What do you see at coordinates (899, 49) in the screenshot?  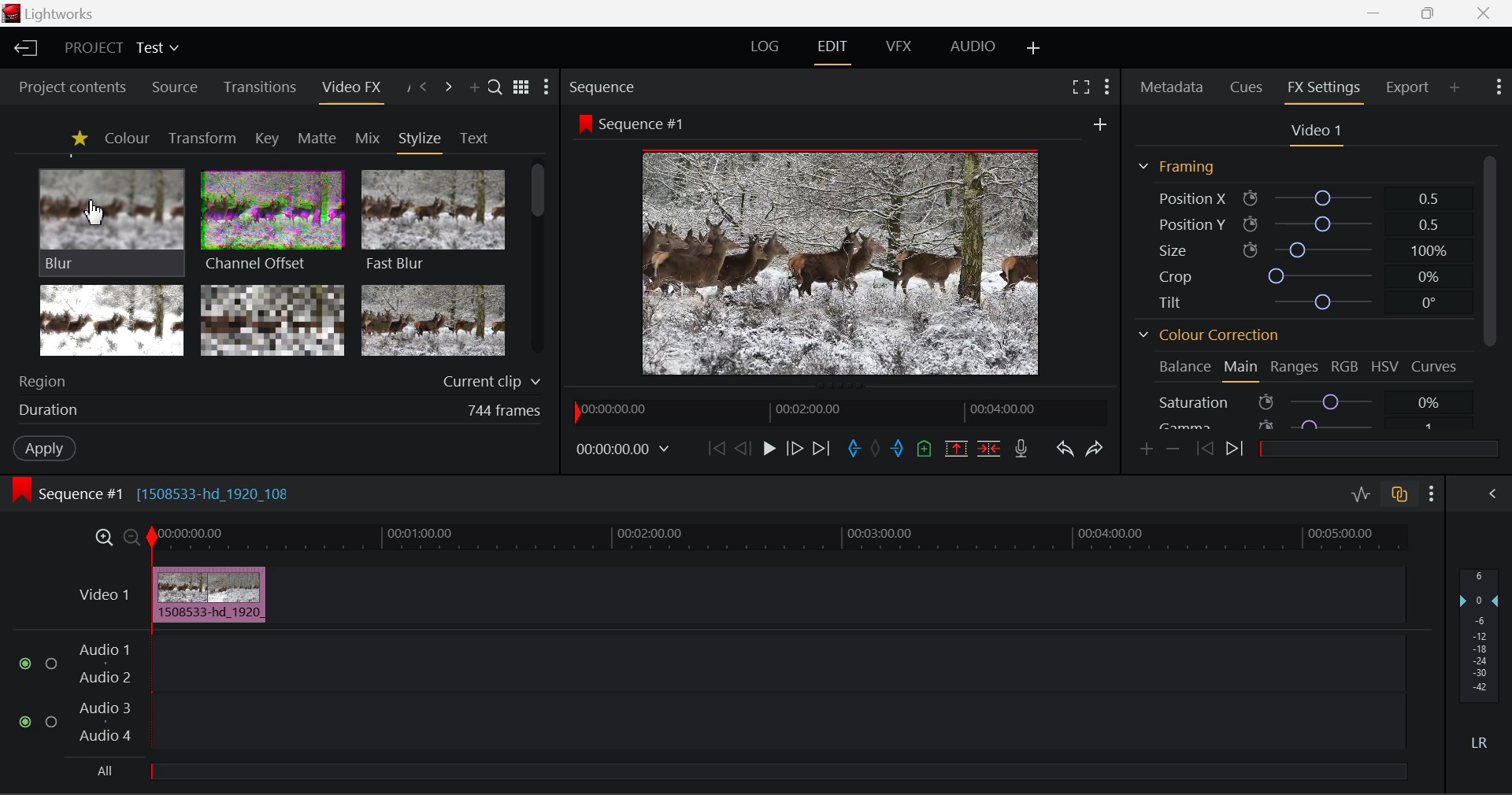 I see `VFX Layout` at bounding box center [899, 49].